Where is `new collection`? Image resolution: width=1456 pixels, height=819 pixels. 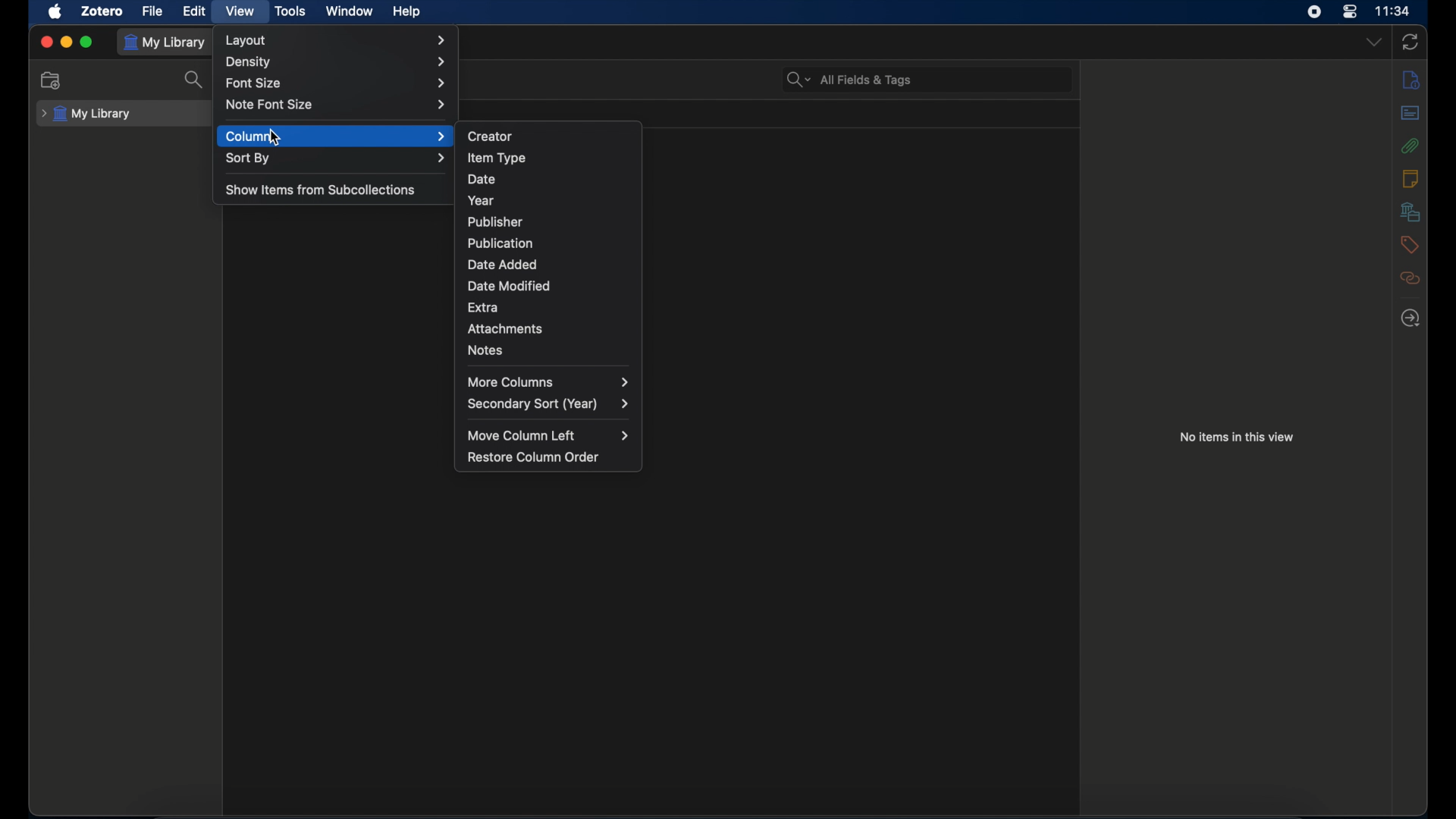
new collection is located at coordinates (52, 81).